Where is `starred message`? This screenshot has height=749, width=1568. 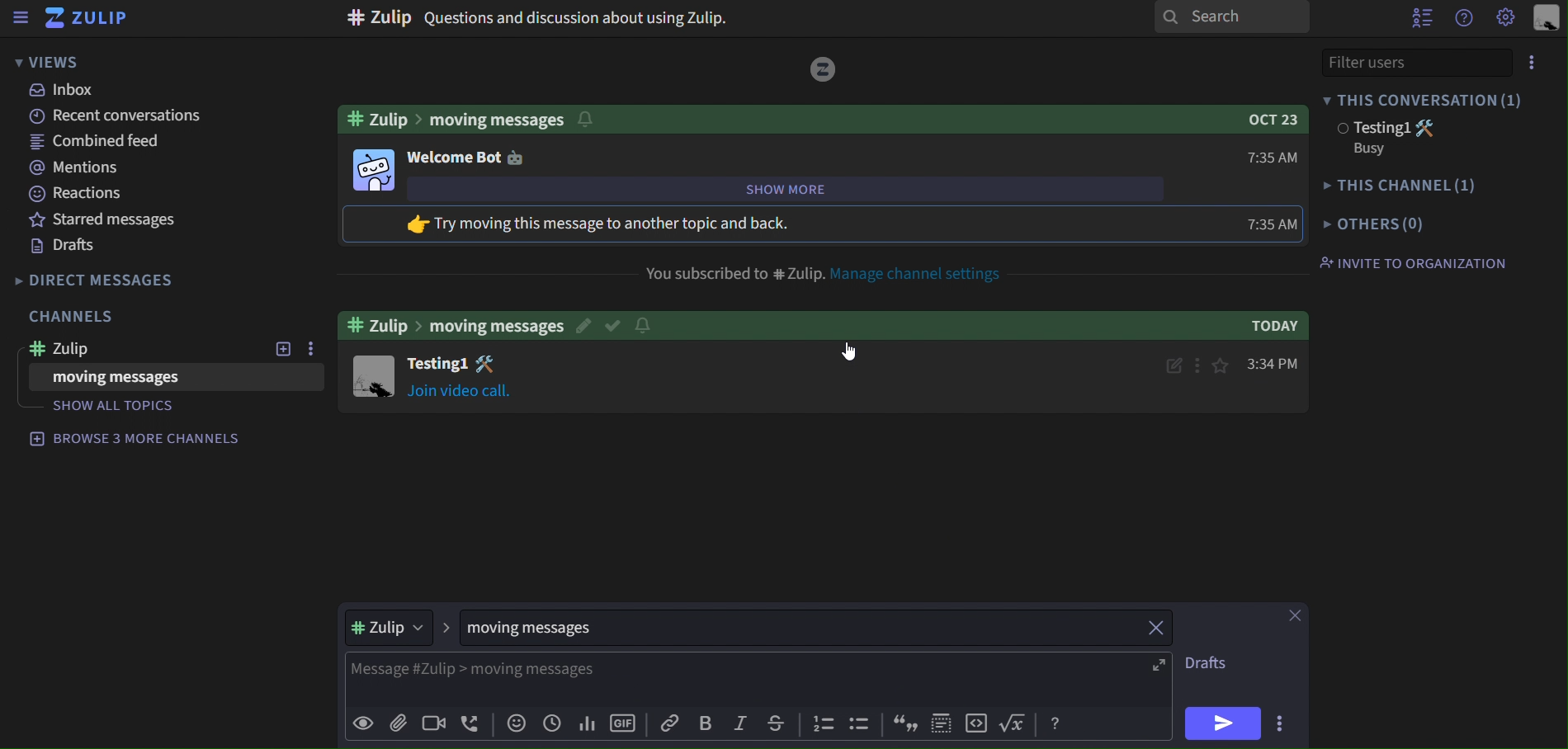
starred message is located at coordinates (96, 220).